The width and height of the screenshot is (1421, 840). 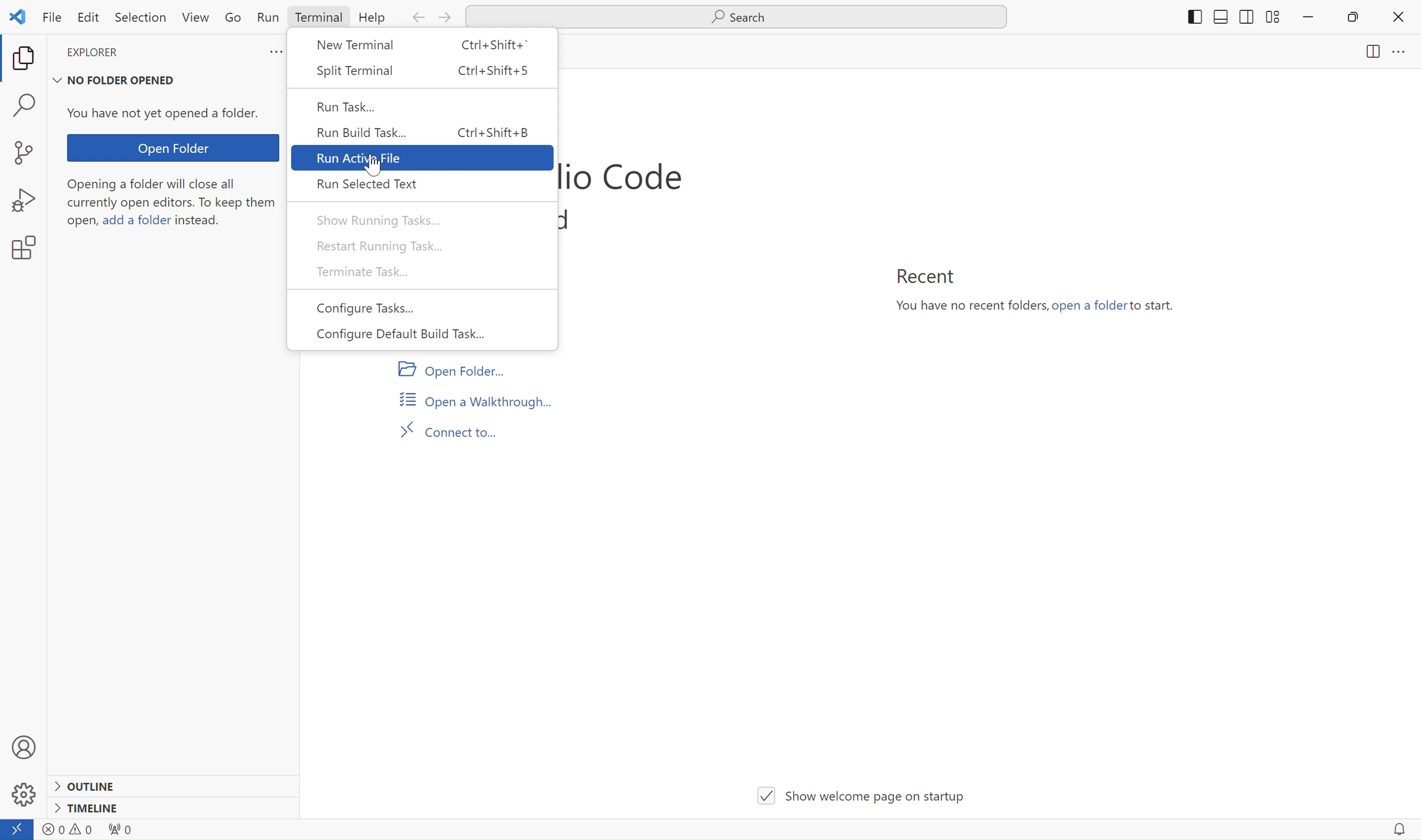 I want to click on View, so click(x=197, y=19).